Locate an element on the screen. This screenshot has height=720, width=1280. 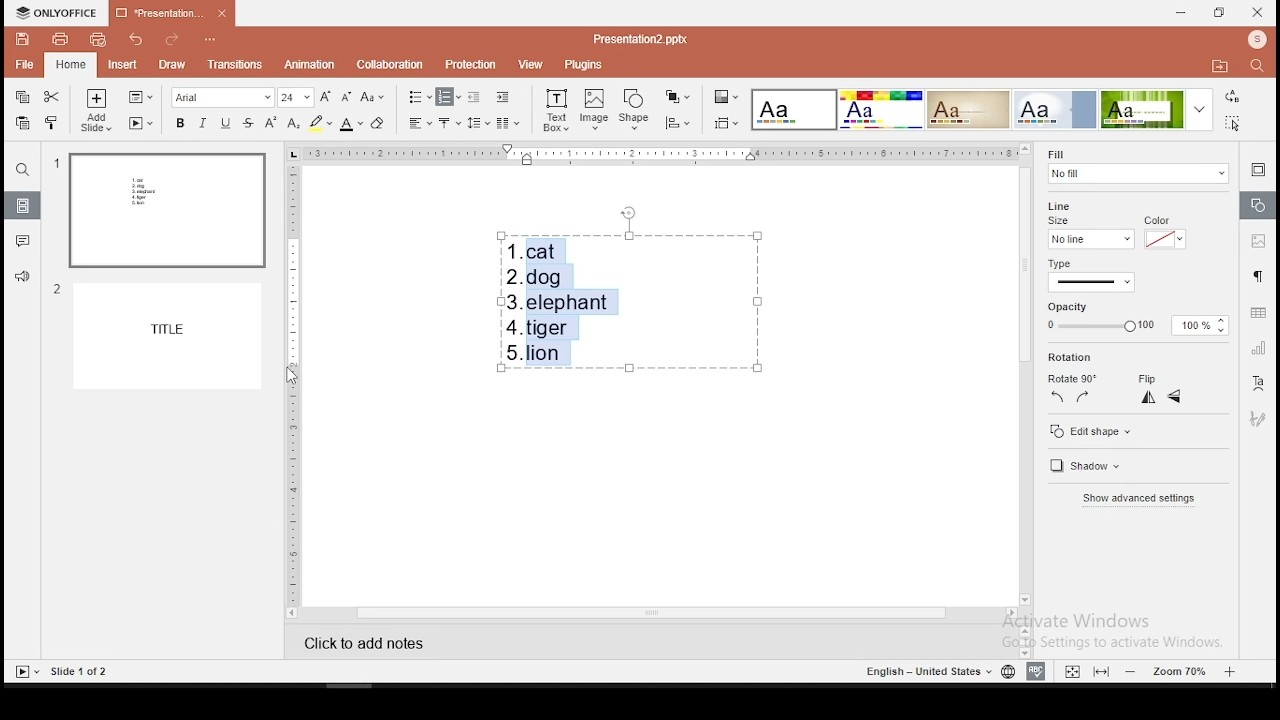
arrange objects is located at coordinates (678, 98).